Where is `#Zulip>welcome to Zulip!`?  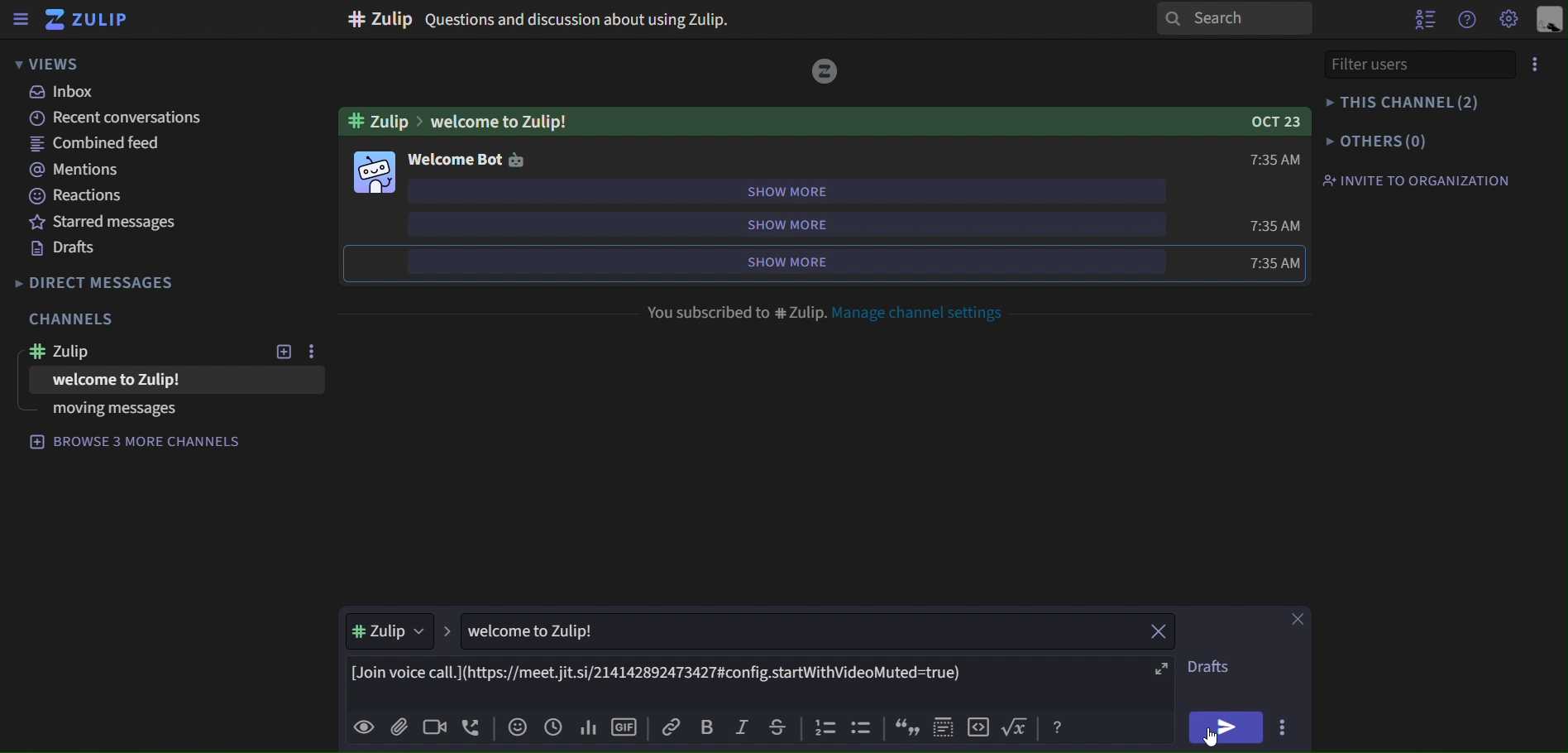 #Zulip>welcome to Zulip! is located at coordinates (464, 121).